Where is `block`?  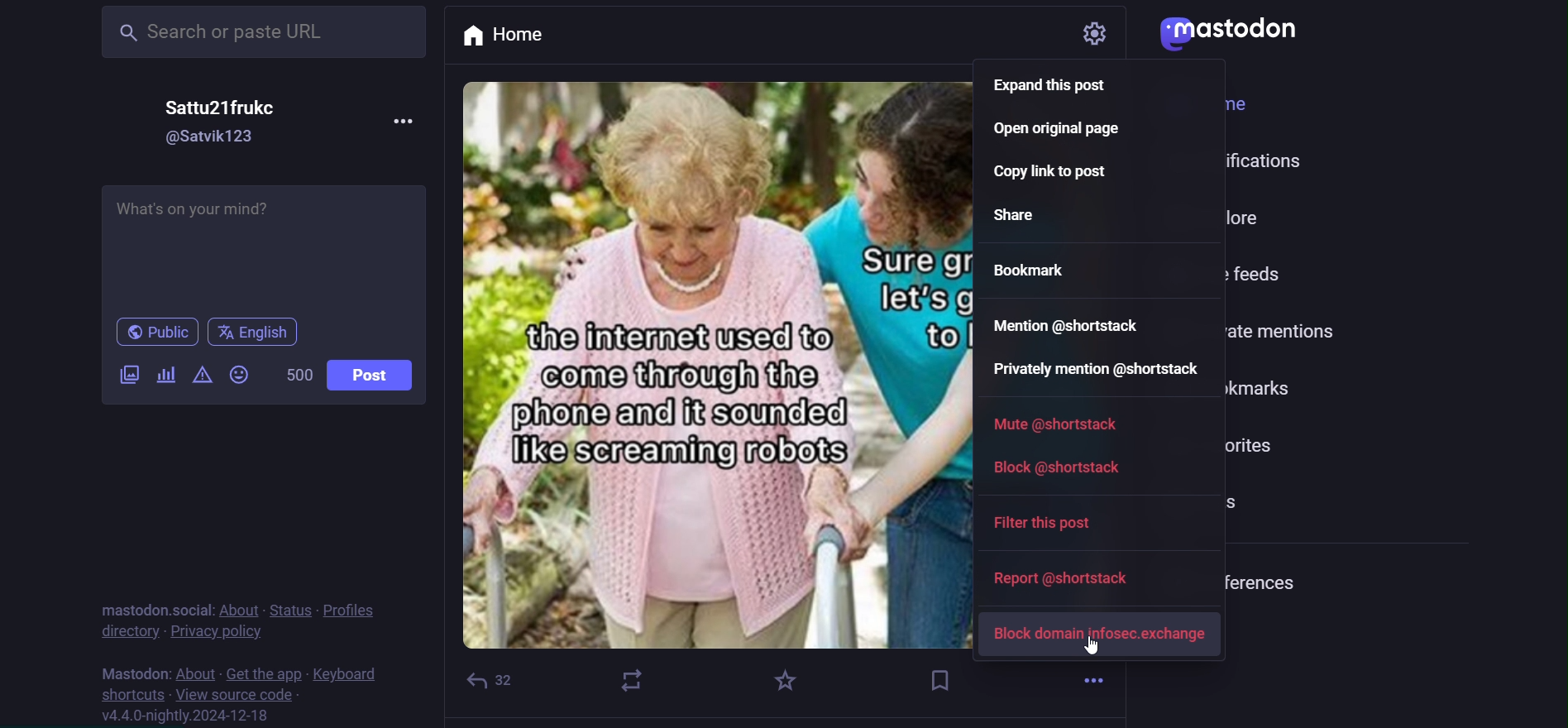
block is located at coordinates (1059, 466).